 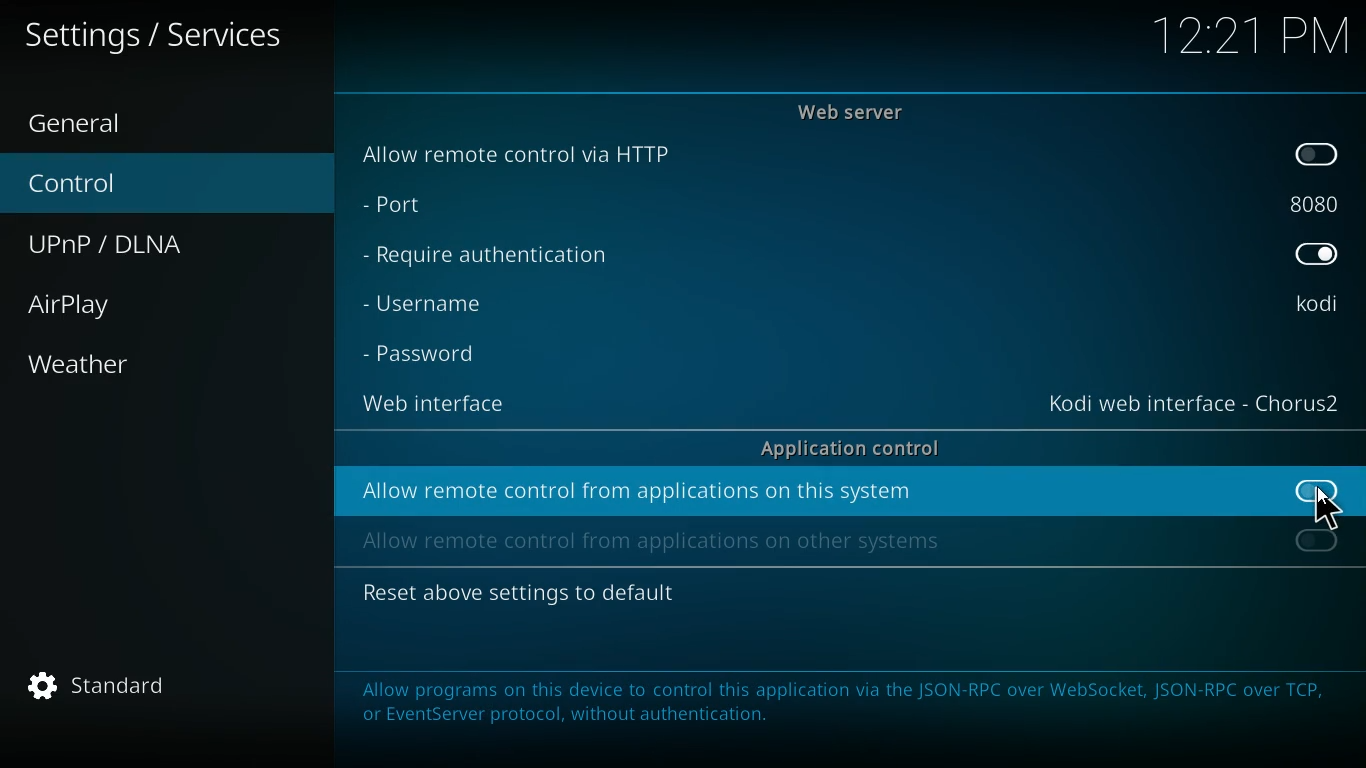 I want to click on port, so click(x=394, y=204).